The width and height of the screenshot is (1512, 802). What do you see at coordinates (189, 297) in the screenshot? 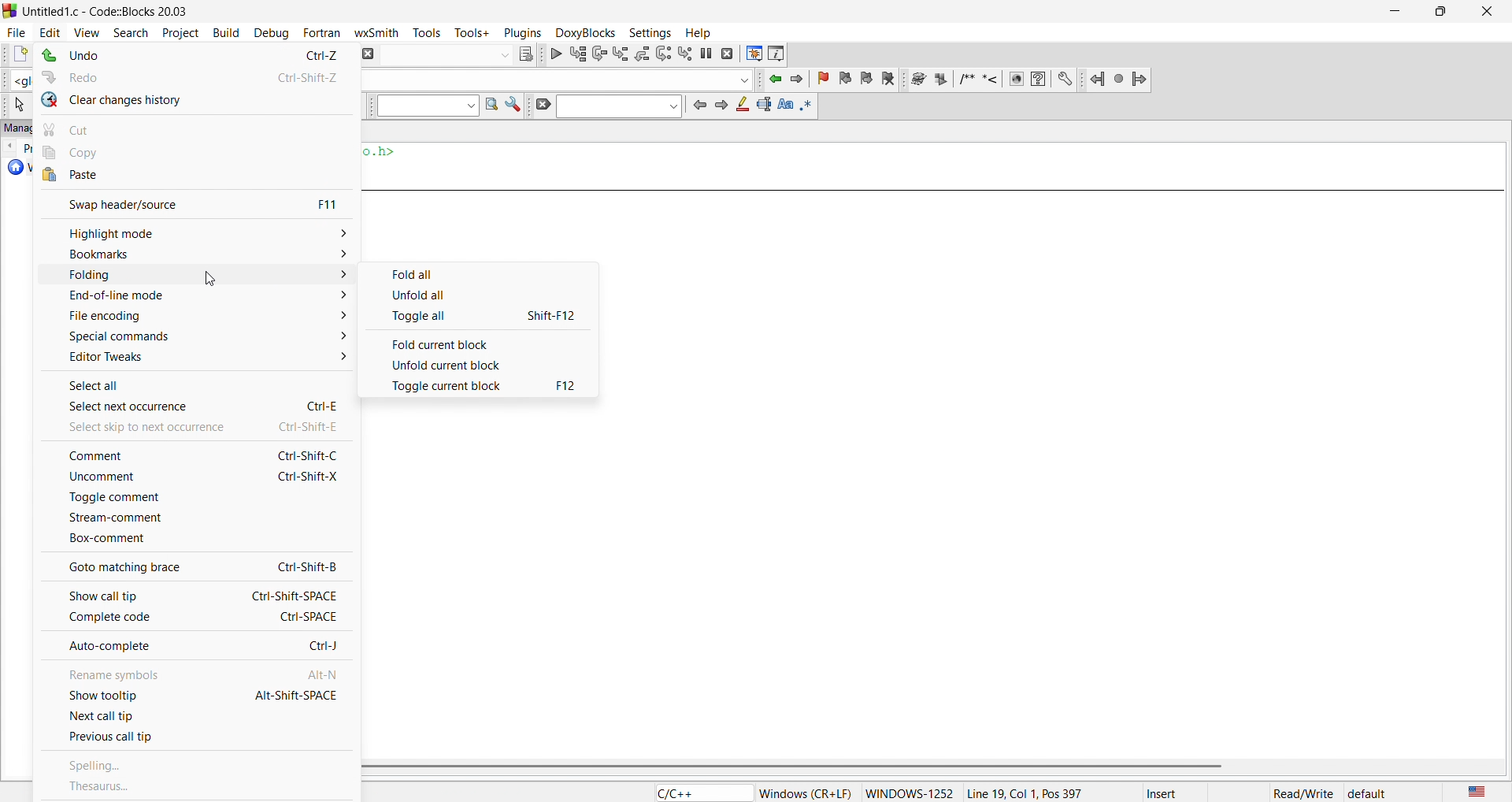
I see `end of line mode` at bounding box center [189, 297].